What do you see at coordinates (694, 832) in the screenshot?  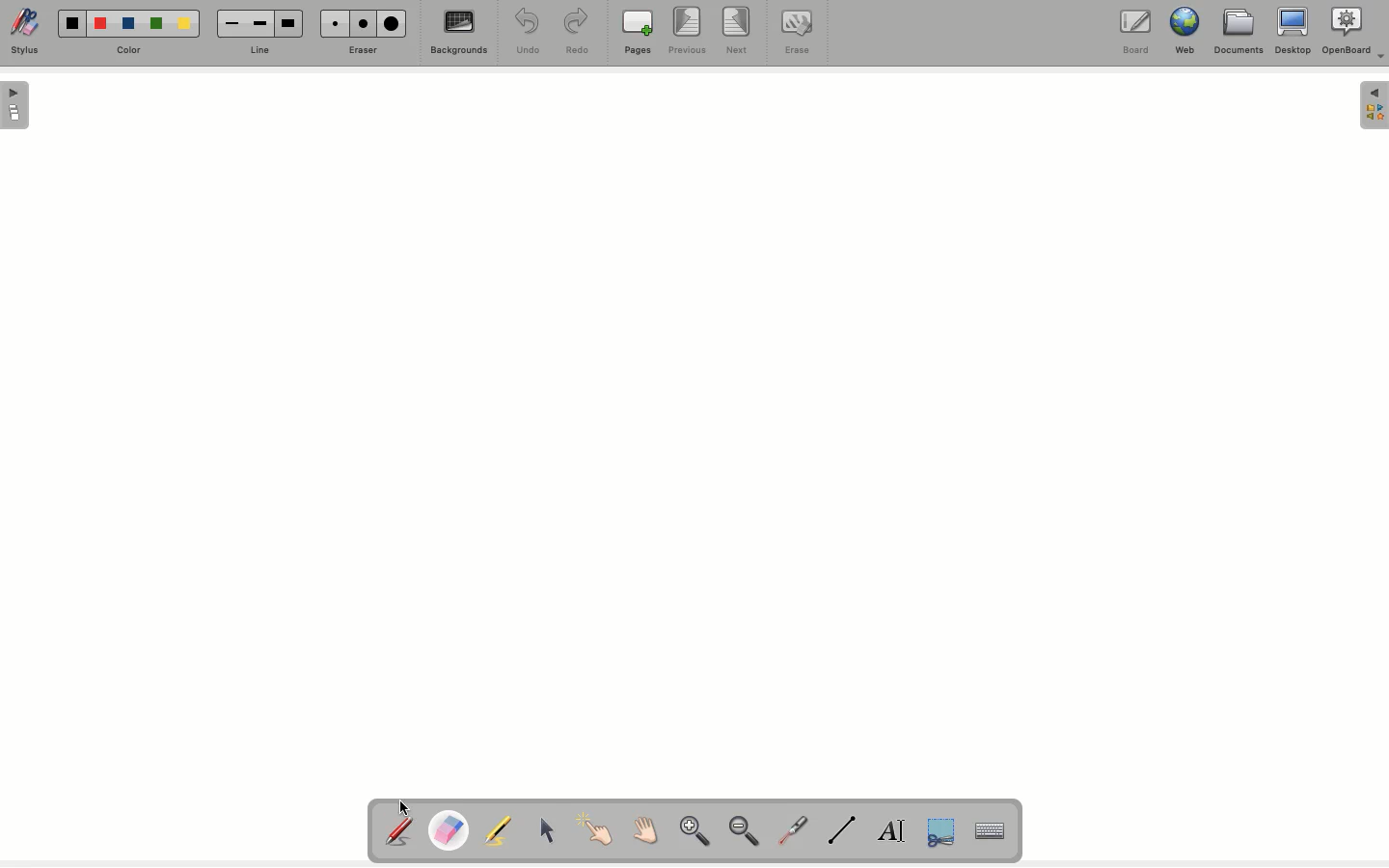 I see `Zoom in` at bounding box center [694, 832].